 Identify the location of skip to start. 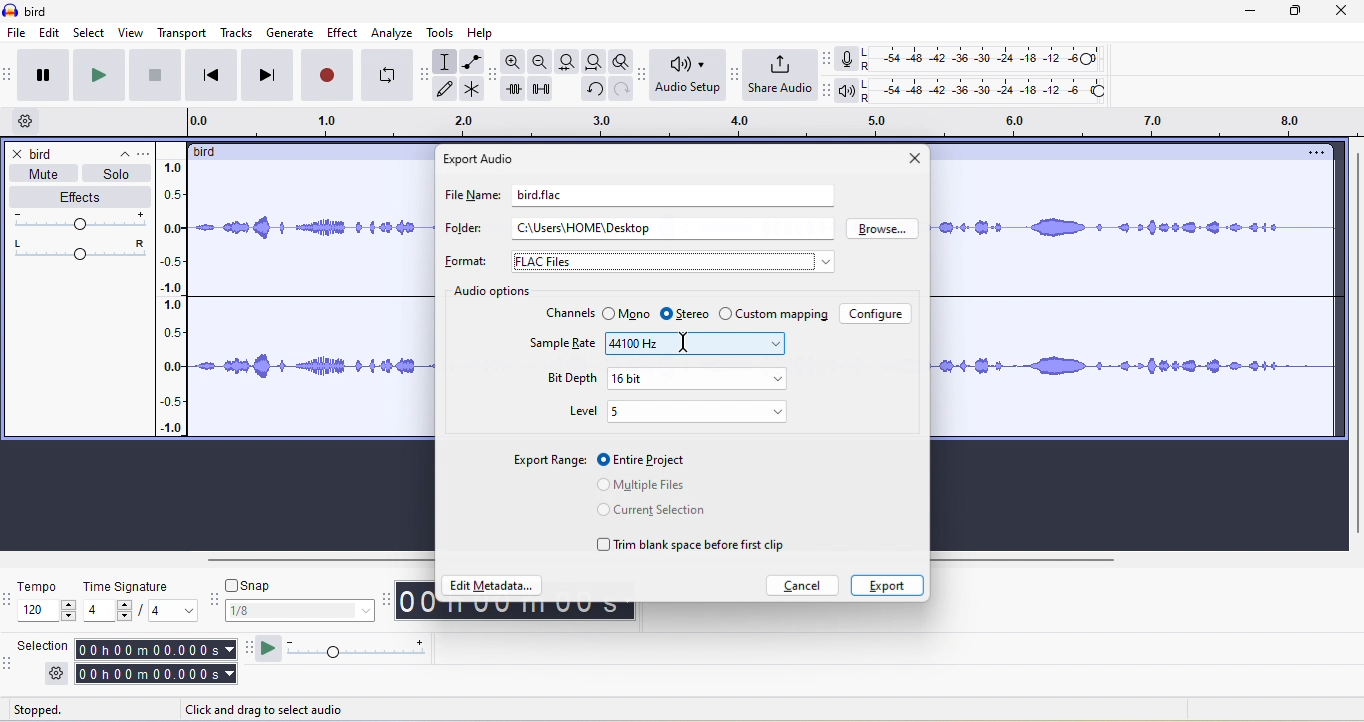
(214, 75).